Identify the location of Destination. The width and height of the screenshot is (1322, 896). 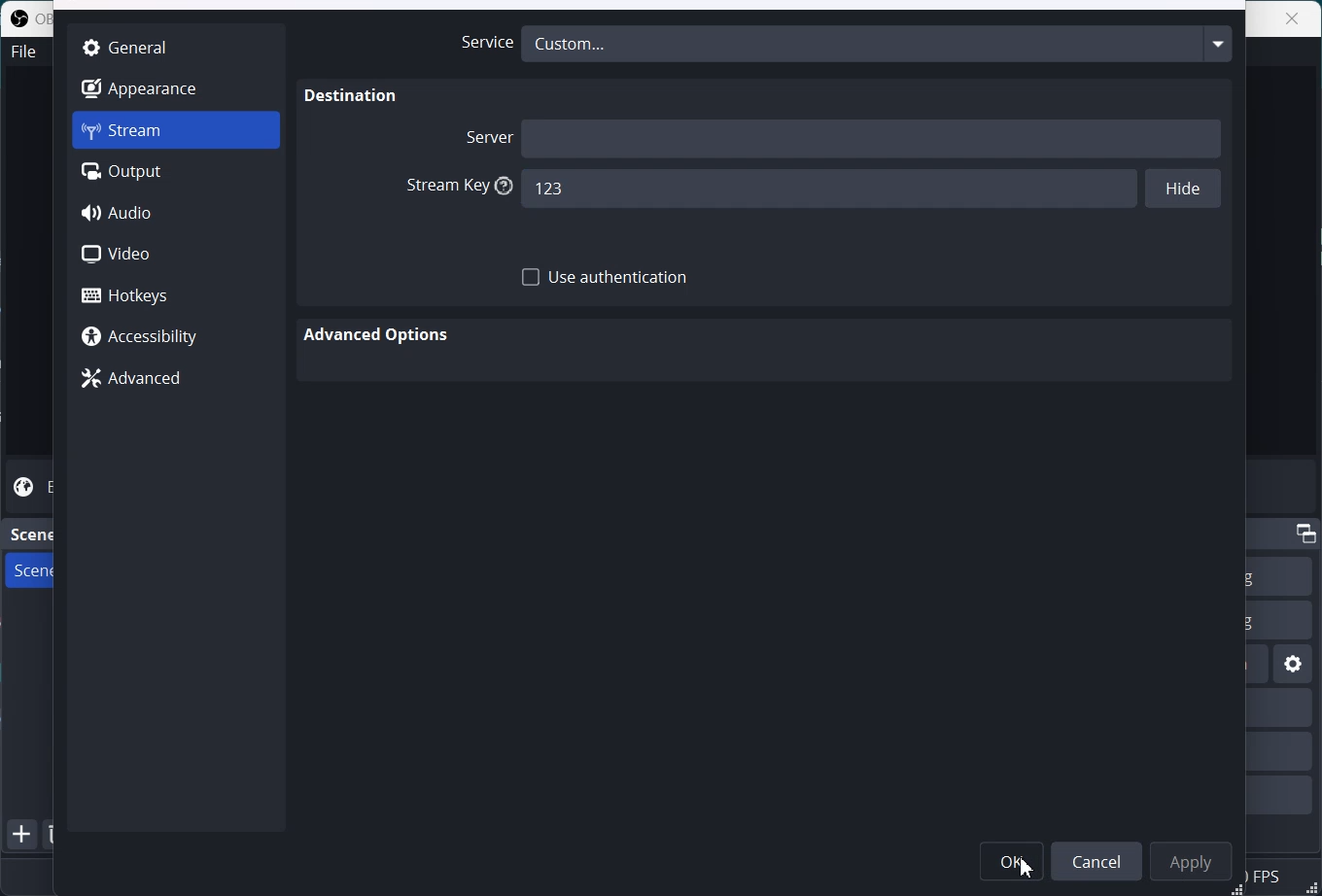
(352, 96).